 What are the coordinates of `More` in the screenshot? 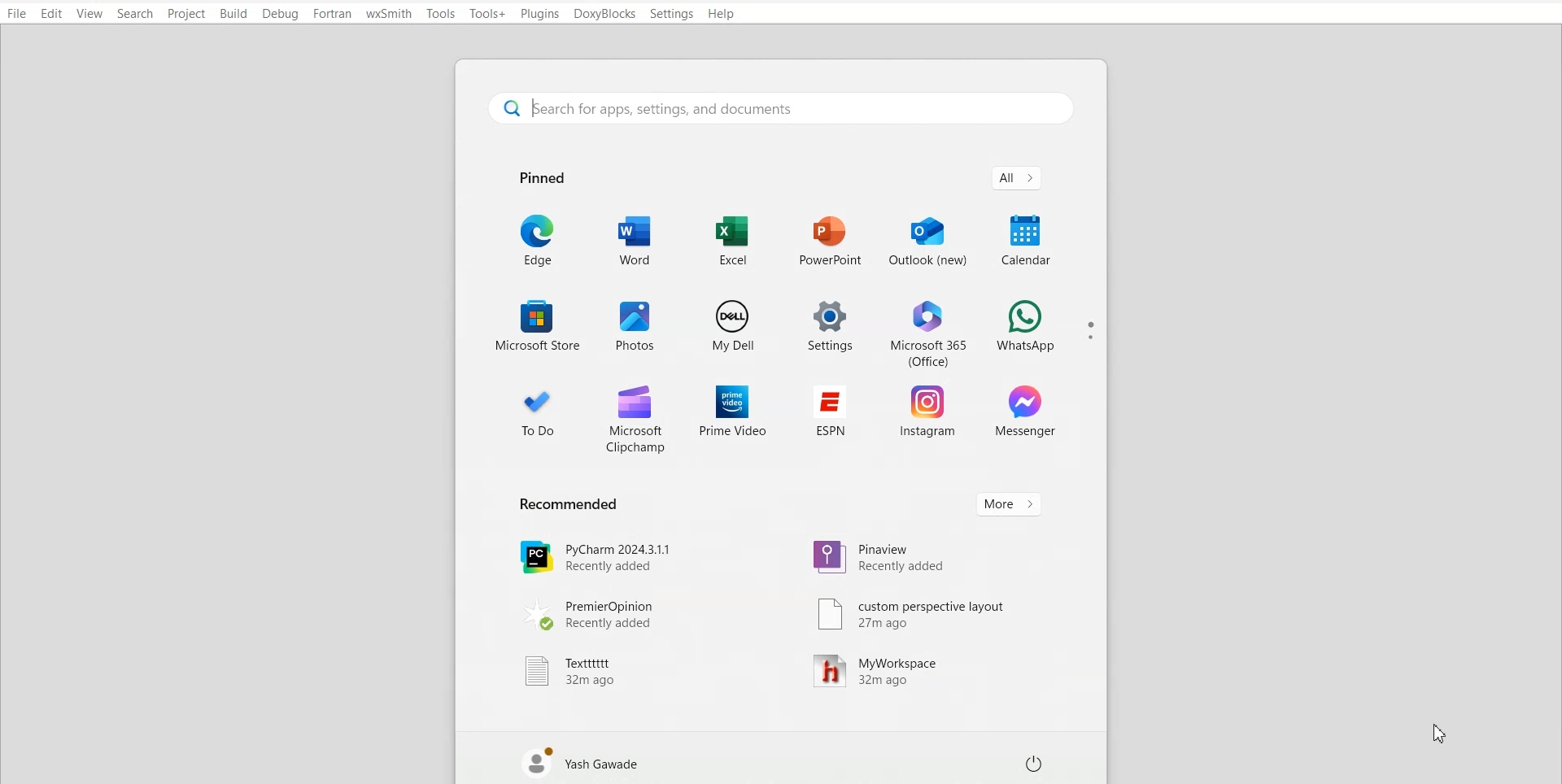 It's located at (1012, 504).